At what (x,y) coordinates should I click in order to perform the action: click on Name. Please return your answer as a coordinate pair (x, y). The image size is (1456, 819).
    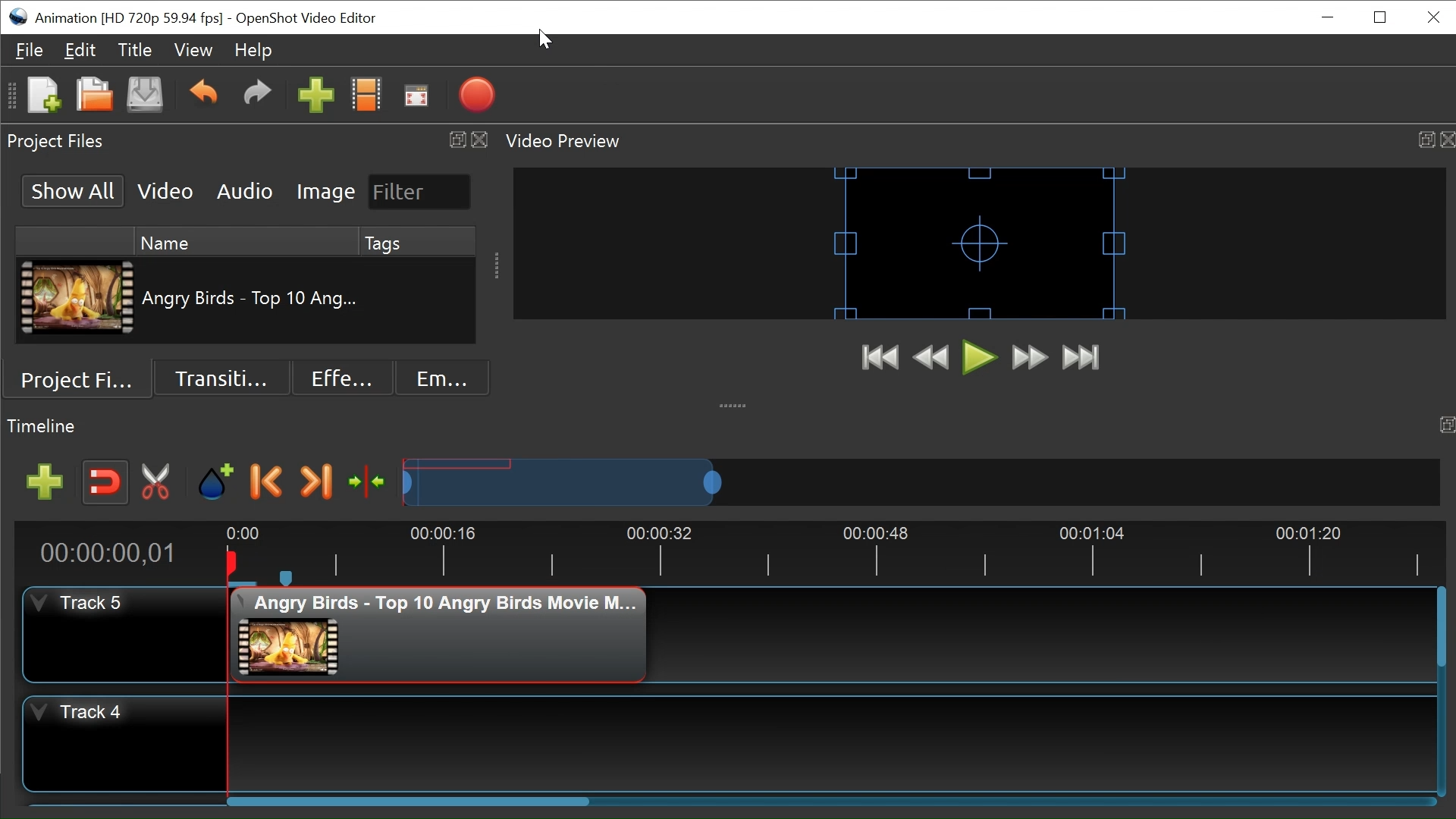
    Looking at the image, I should click on (243, 243).